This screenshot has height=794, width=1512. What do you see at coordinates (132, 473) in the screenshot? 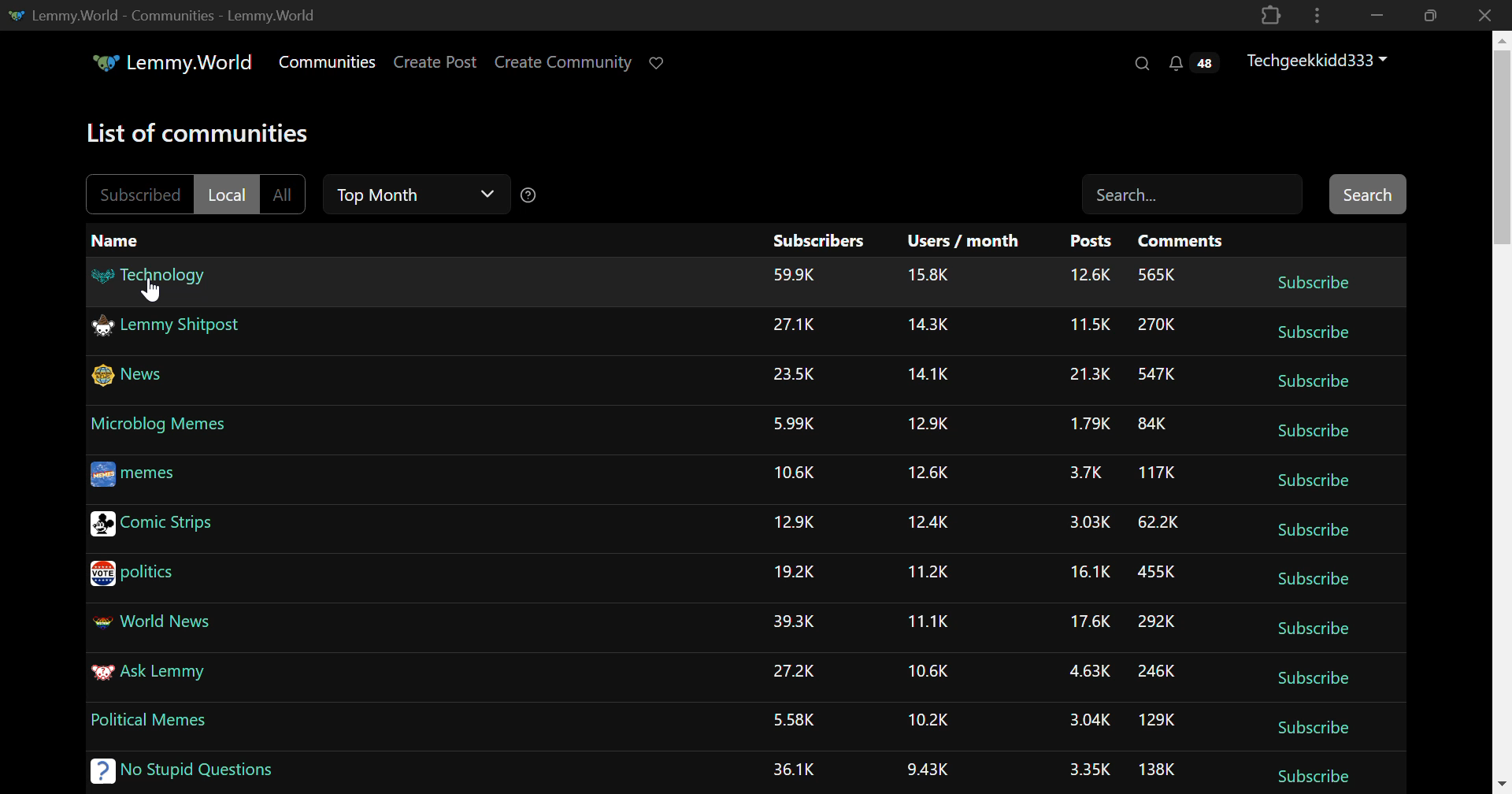
I see `memes` at bounding box center [132, 473].